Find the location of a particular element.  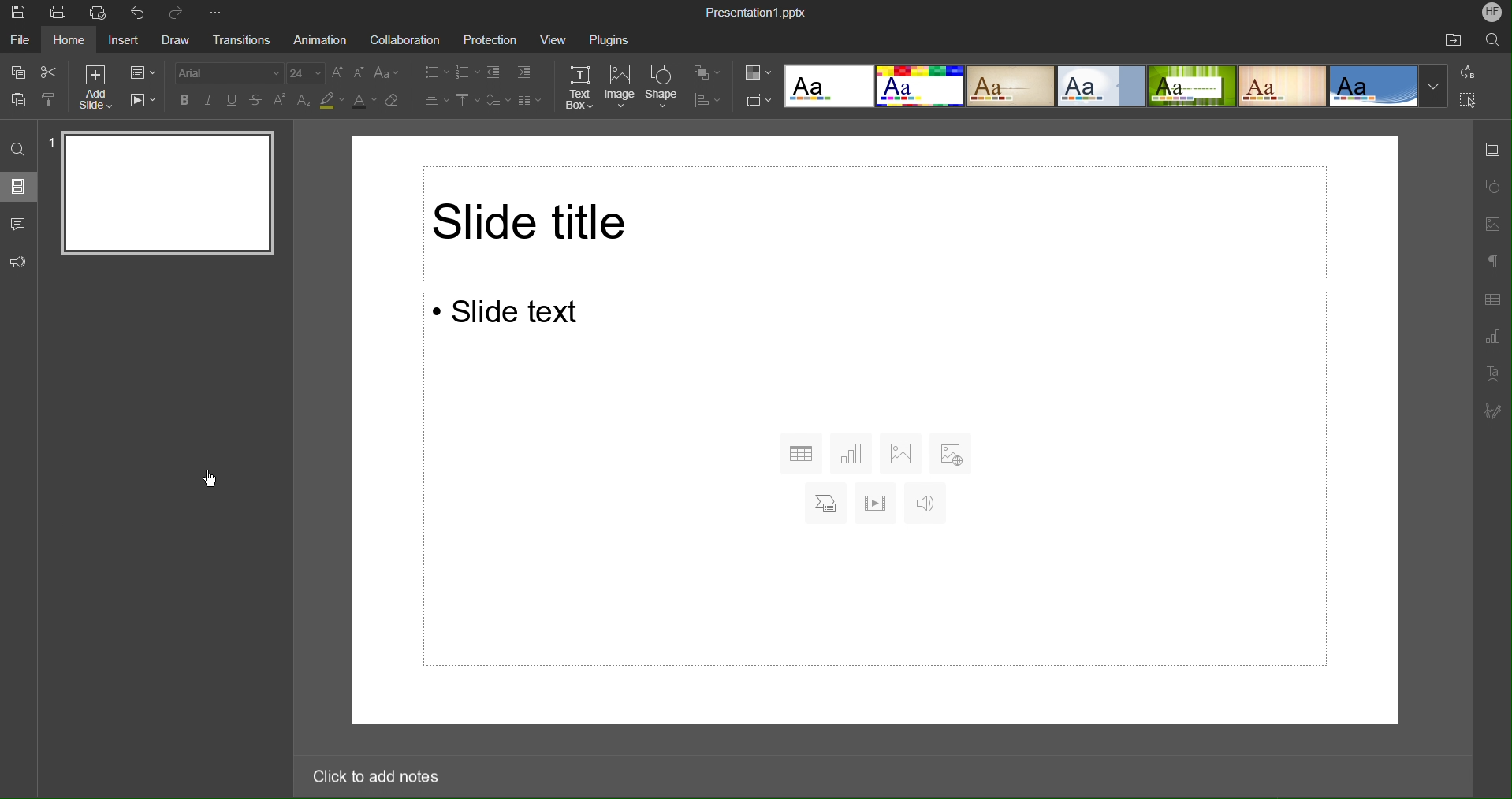

Click to add notes is located at coordinates (378, 779).